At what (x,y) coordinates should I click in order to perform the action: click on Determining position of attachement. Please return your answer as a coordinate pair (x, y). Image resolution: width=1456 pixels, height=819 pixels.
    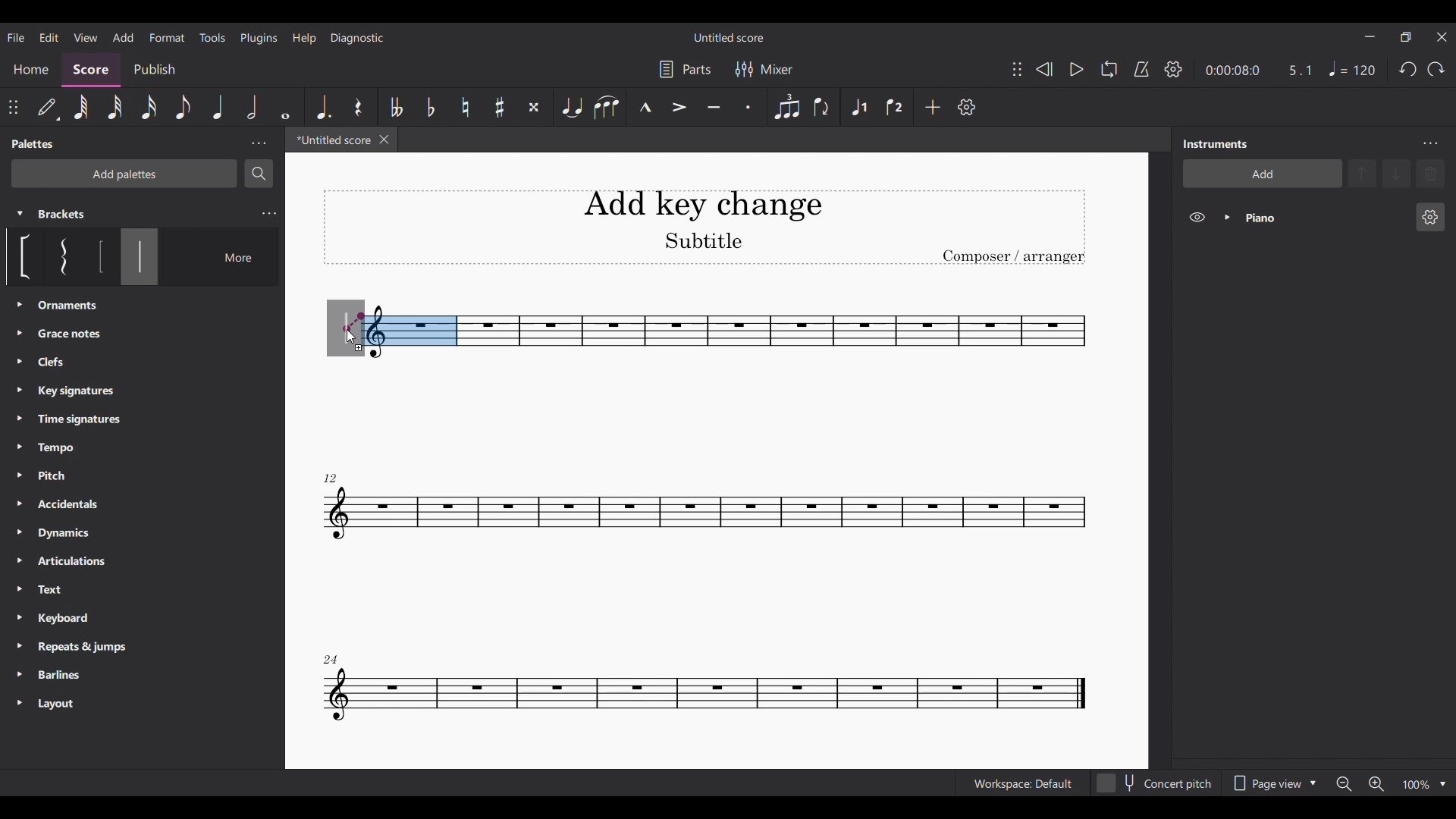
    Looking at the image, I should click on (354, 322).